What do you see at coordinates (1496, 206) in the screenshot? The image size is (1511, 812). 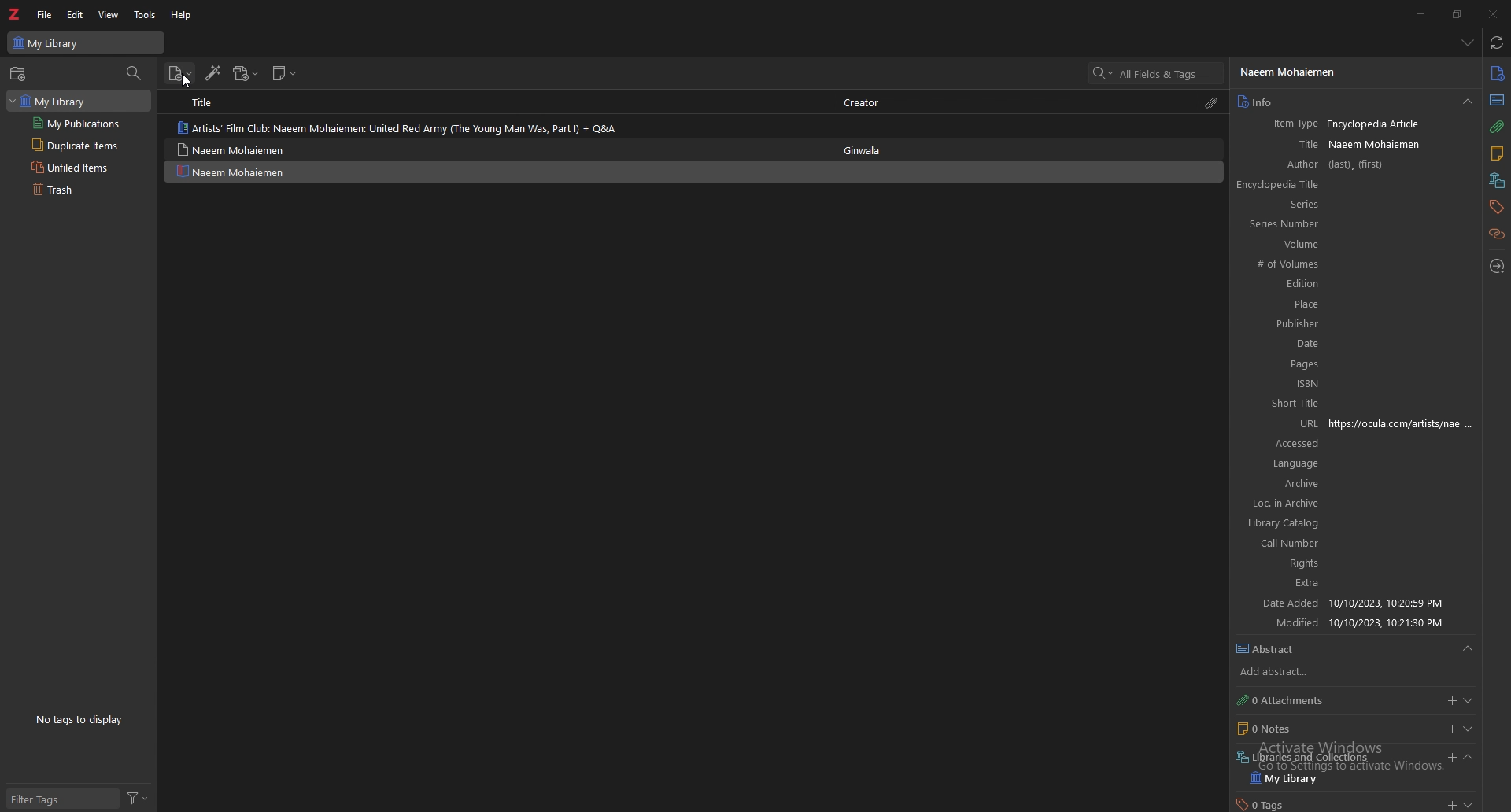 I see `tags` at bounding box center [1496, 206].